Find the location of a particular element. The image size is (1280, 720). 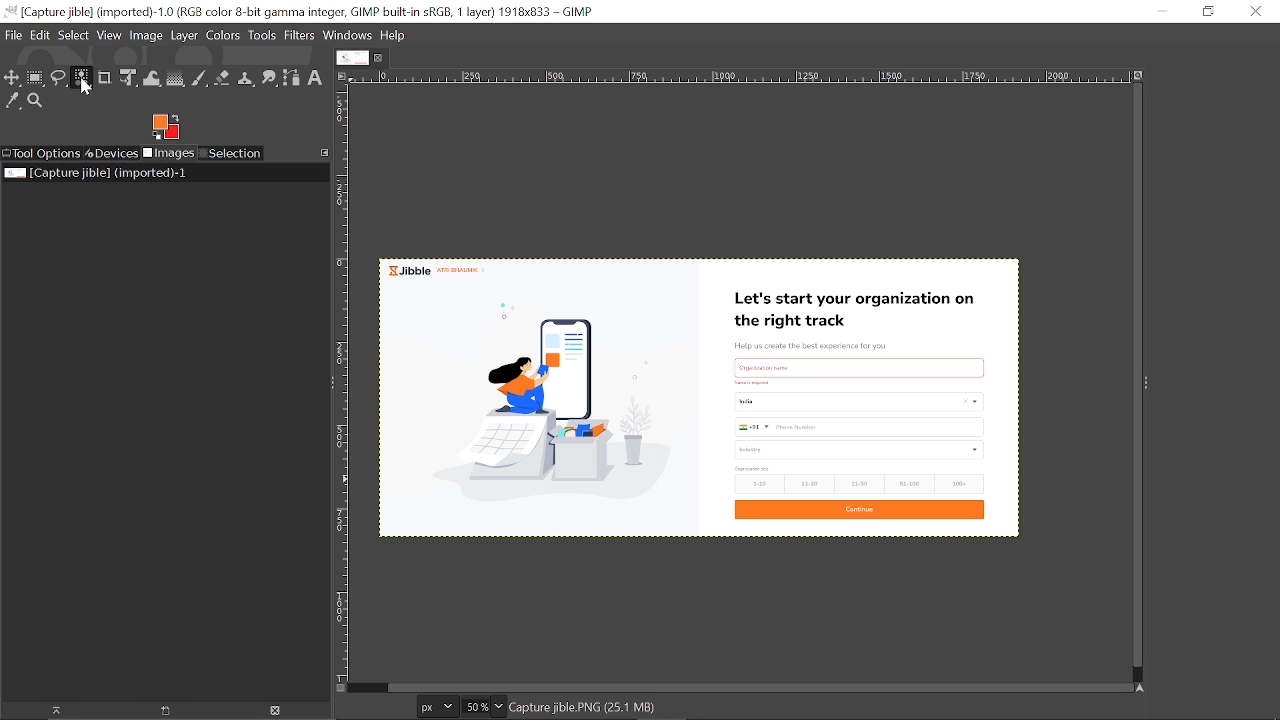

Fore ground tool is located at coordinates (164, 126).